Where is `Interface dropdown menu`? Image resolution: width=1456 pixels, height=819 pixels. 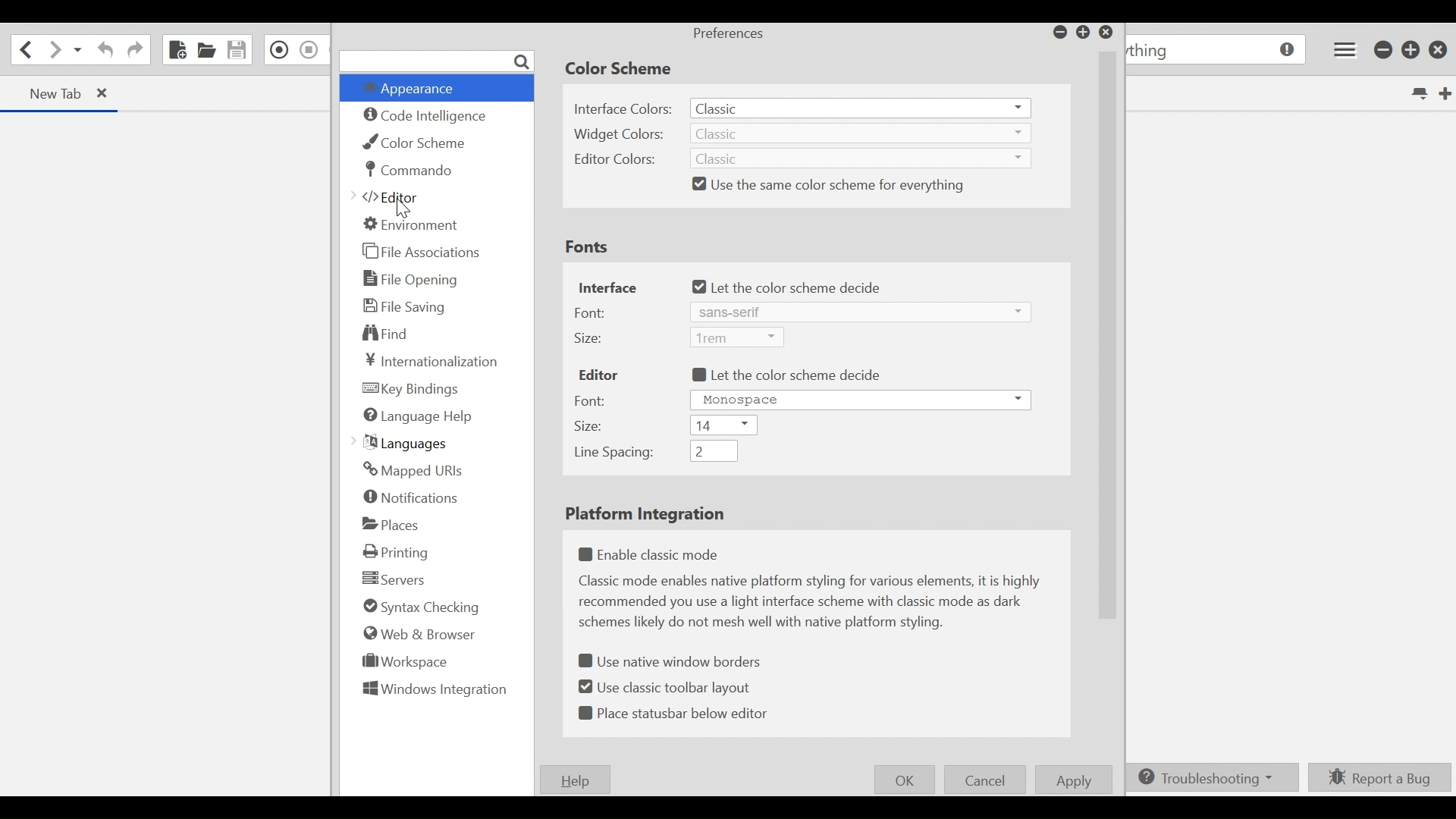 Interface dropdown menu is located at coordinates (861, 133).